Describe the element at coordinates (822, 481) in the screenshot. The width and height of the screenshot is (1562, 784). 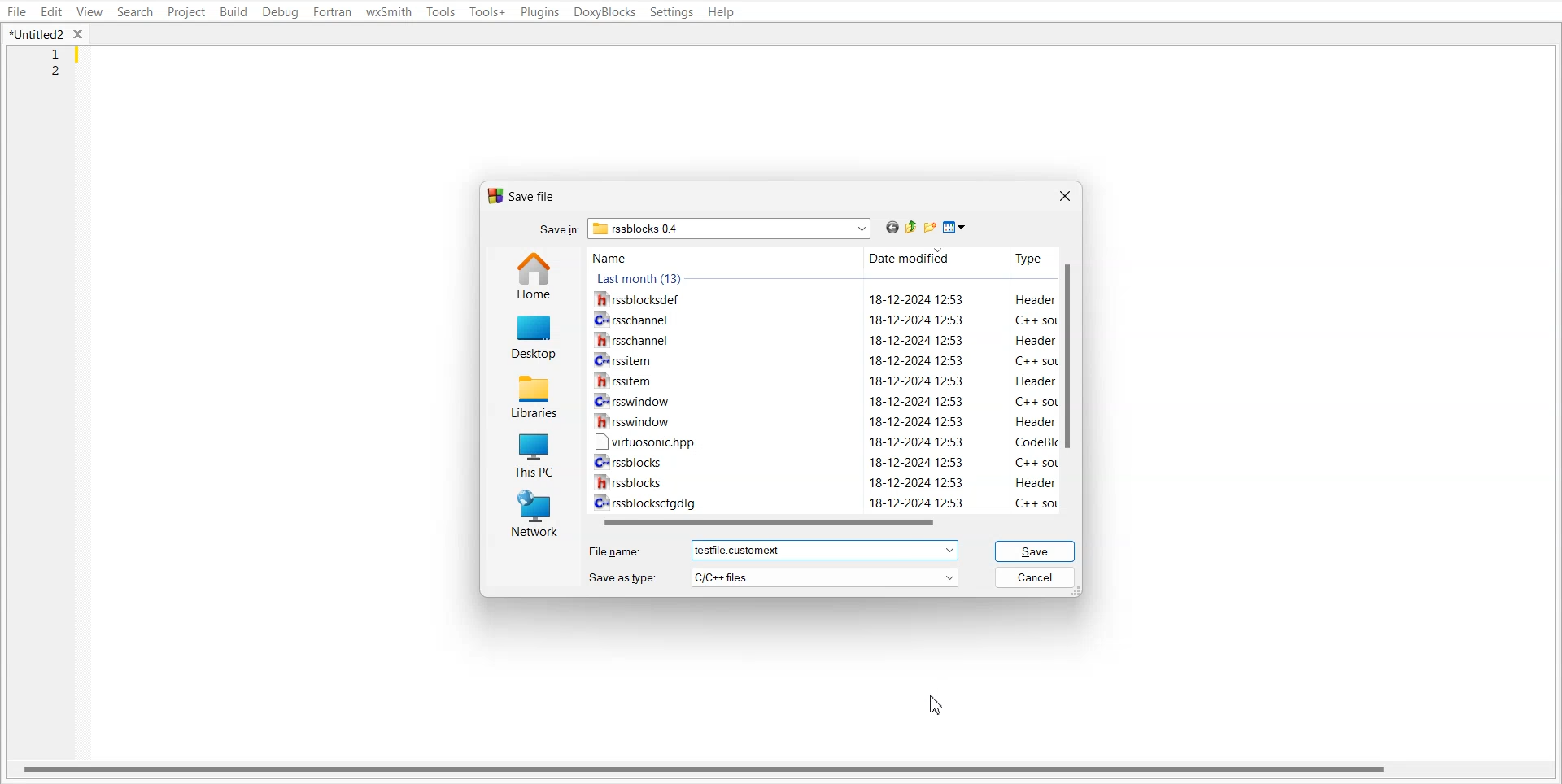
I see `WW rssblocks 18-12-2024 12:53 Header` at that location.